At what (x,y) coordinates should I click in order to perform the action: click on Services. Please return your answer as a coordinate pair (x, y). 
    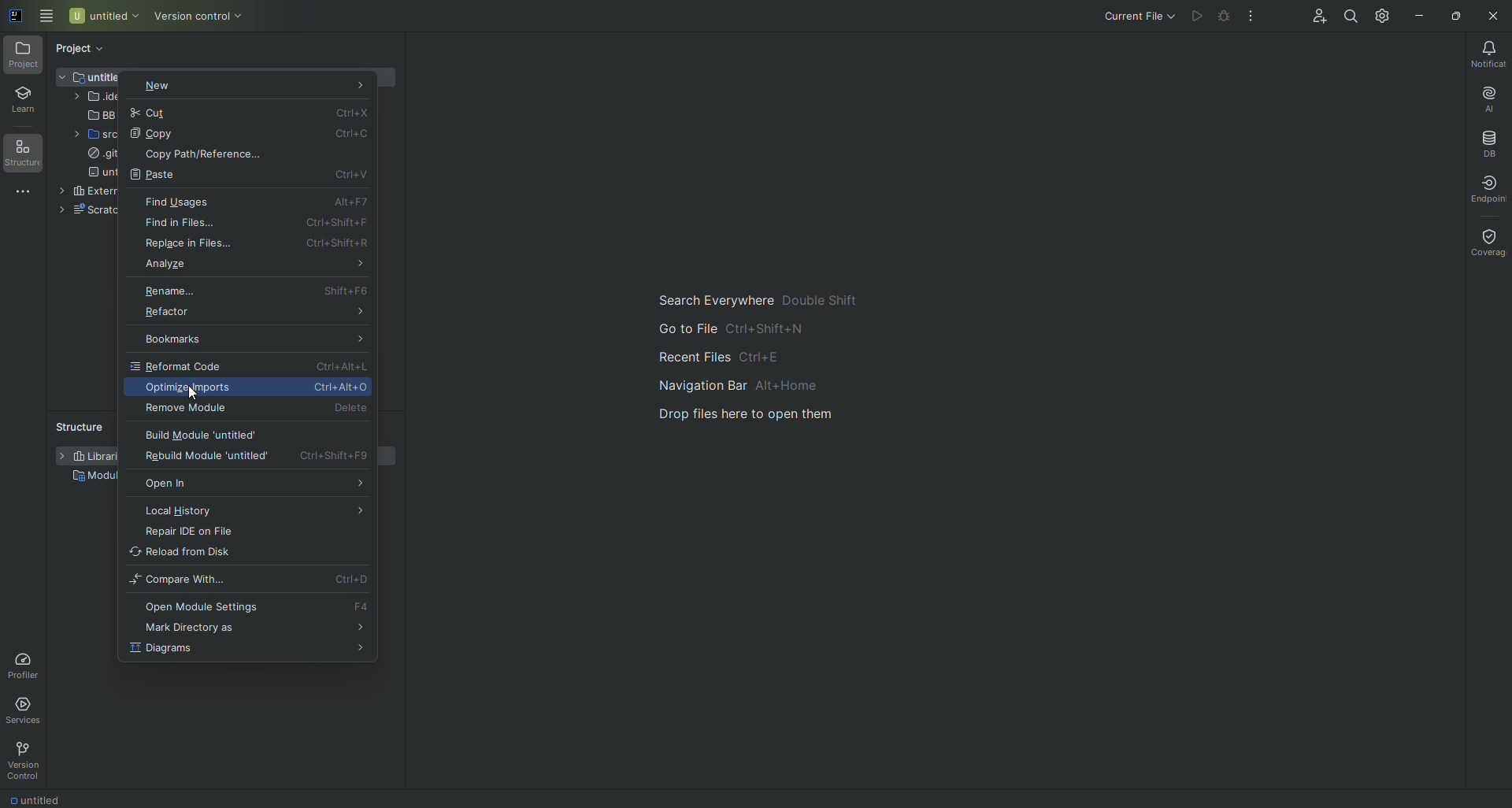
    Looking at the image, I should click on (27, 710).